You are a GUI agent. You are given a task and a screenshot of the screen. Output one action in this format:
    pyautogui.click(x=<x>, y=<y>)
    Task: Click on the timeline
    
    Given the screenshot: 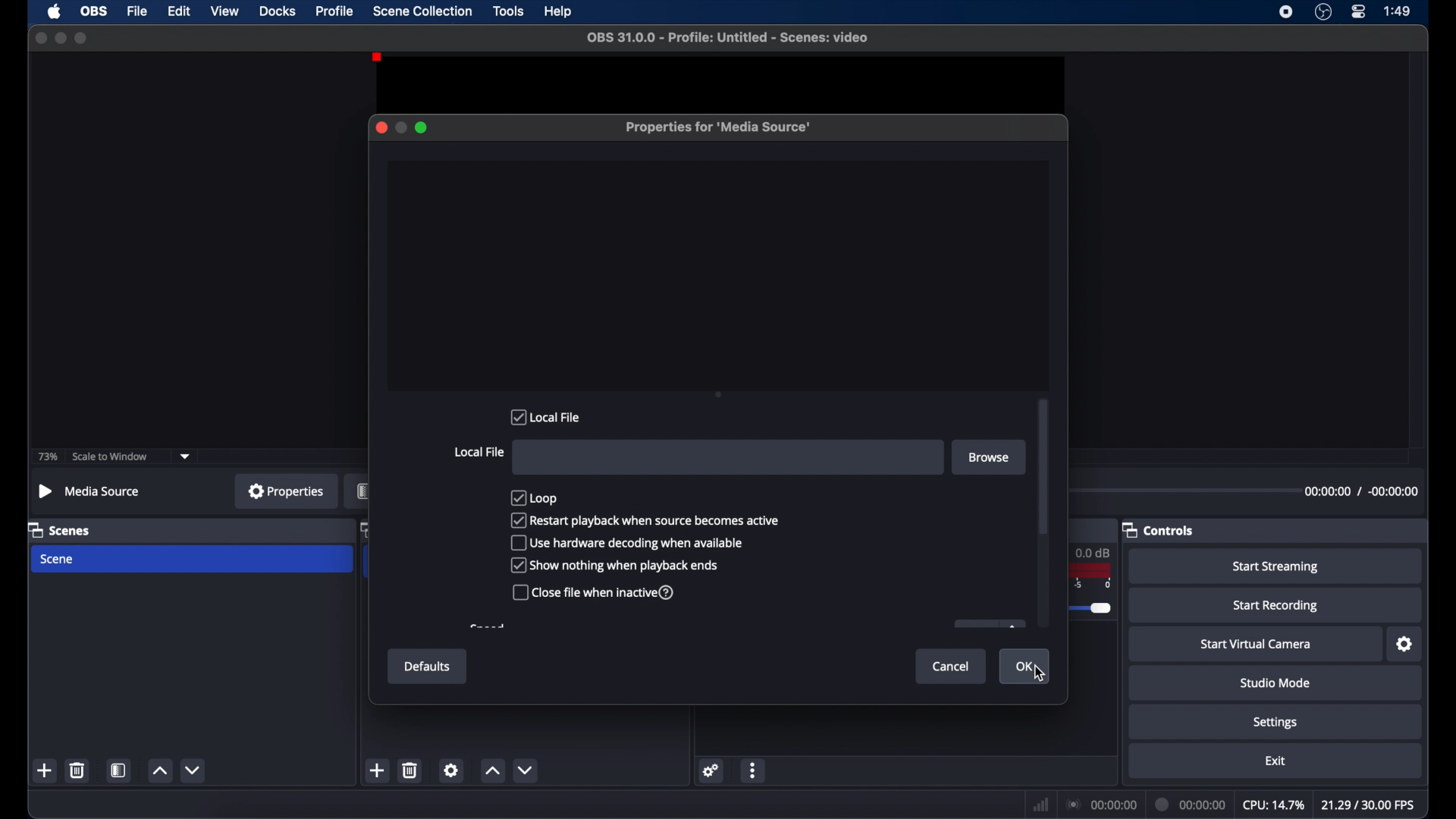 What is the action you would take?
    pyautogui.click(x=1099, y=597)
    